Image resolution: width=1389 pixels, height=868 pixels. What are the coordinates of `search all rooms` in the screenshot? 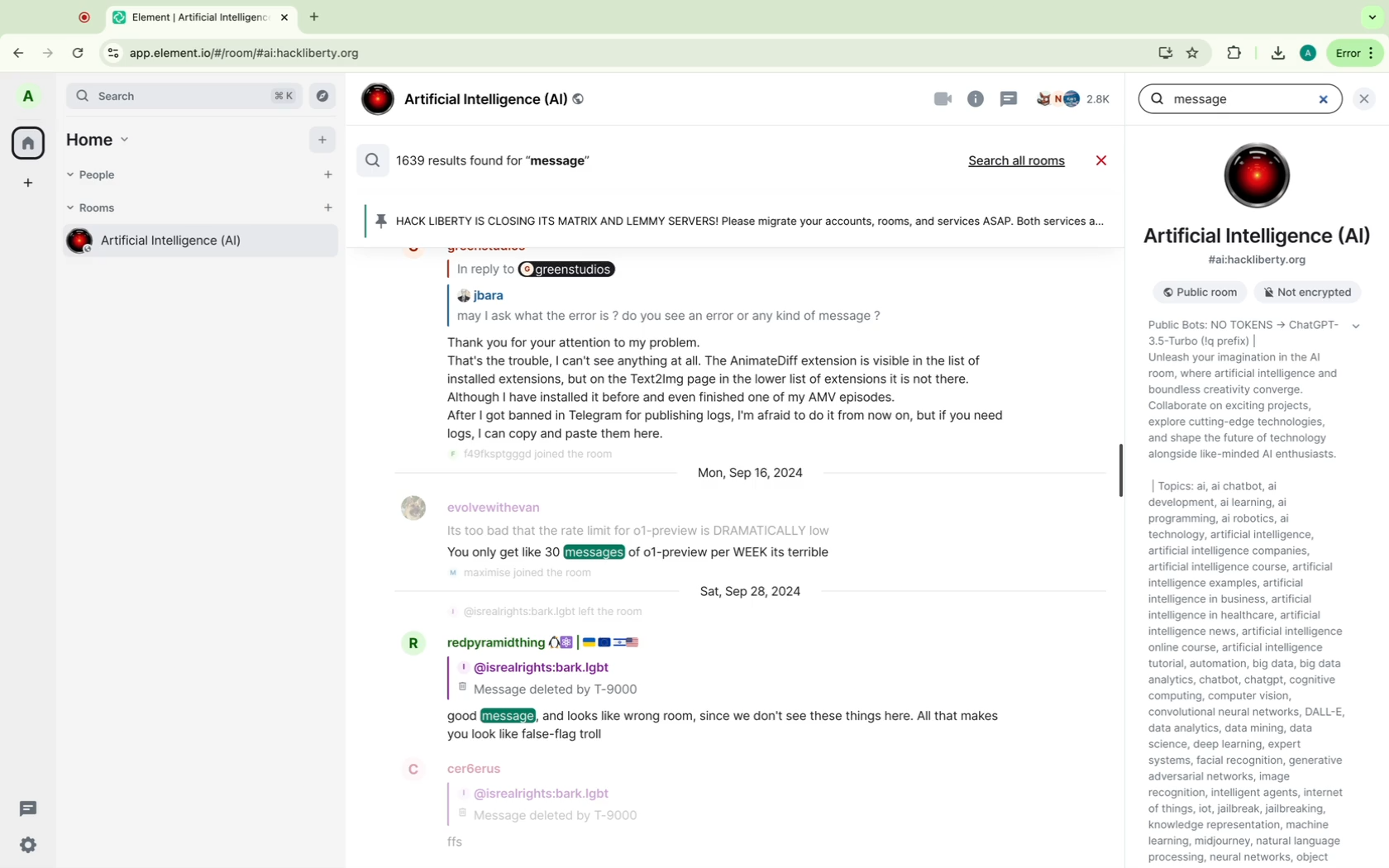 It's located at (1019, 162).